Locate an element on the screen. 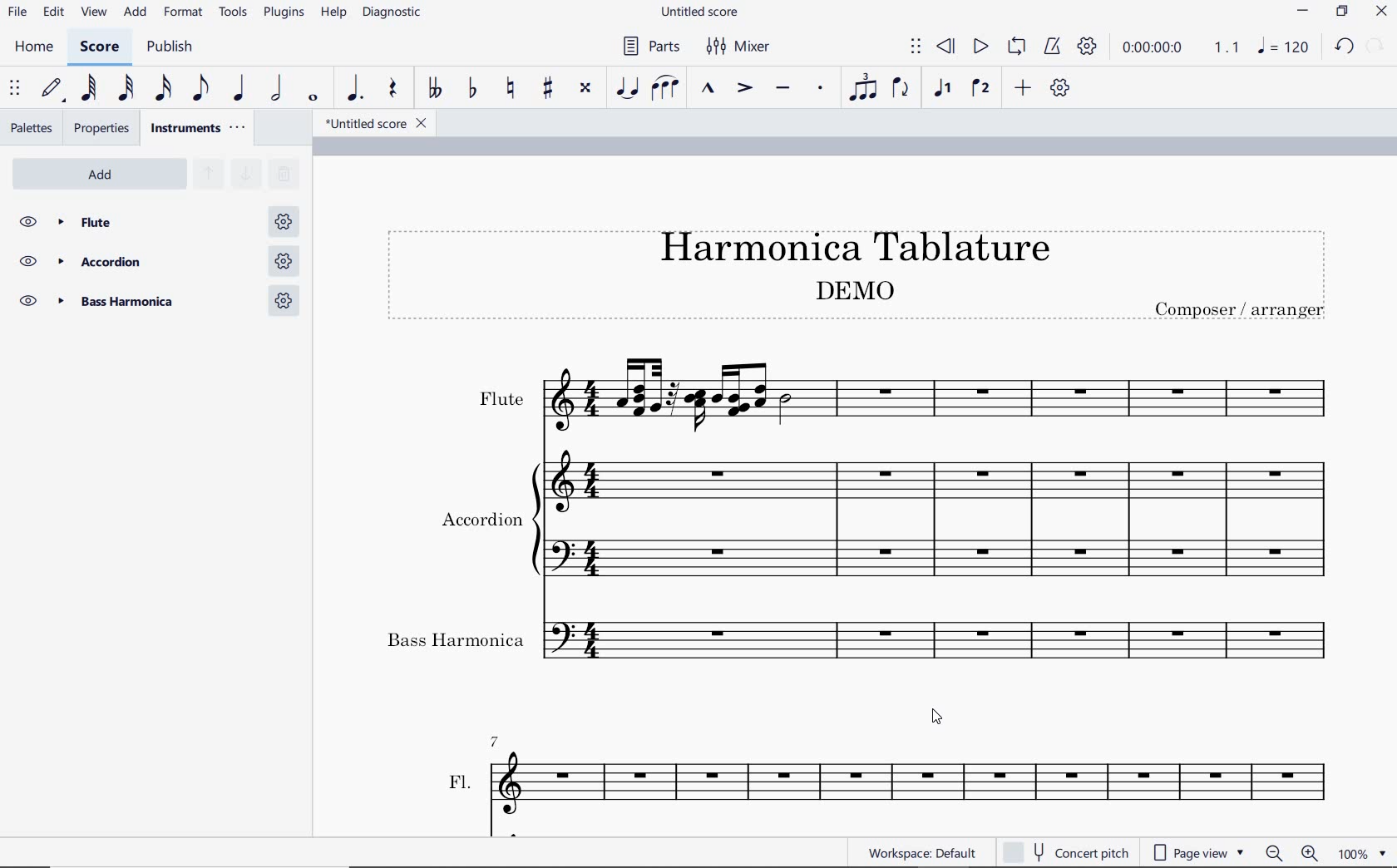 The image size is (1397, 868). eighth note is located at coordinates (198, 90).